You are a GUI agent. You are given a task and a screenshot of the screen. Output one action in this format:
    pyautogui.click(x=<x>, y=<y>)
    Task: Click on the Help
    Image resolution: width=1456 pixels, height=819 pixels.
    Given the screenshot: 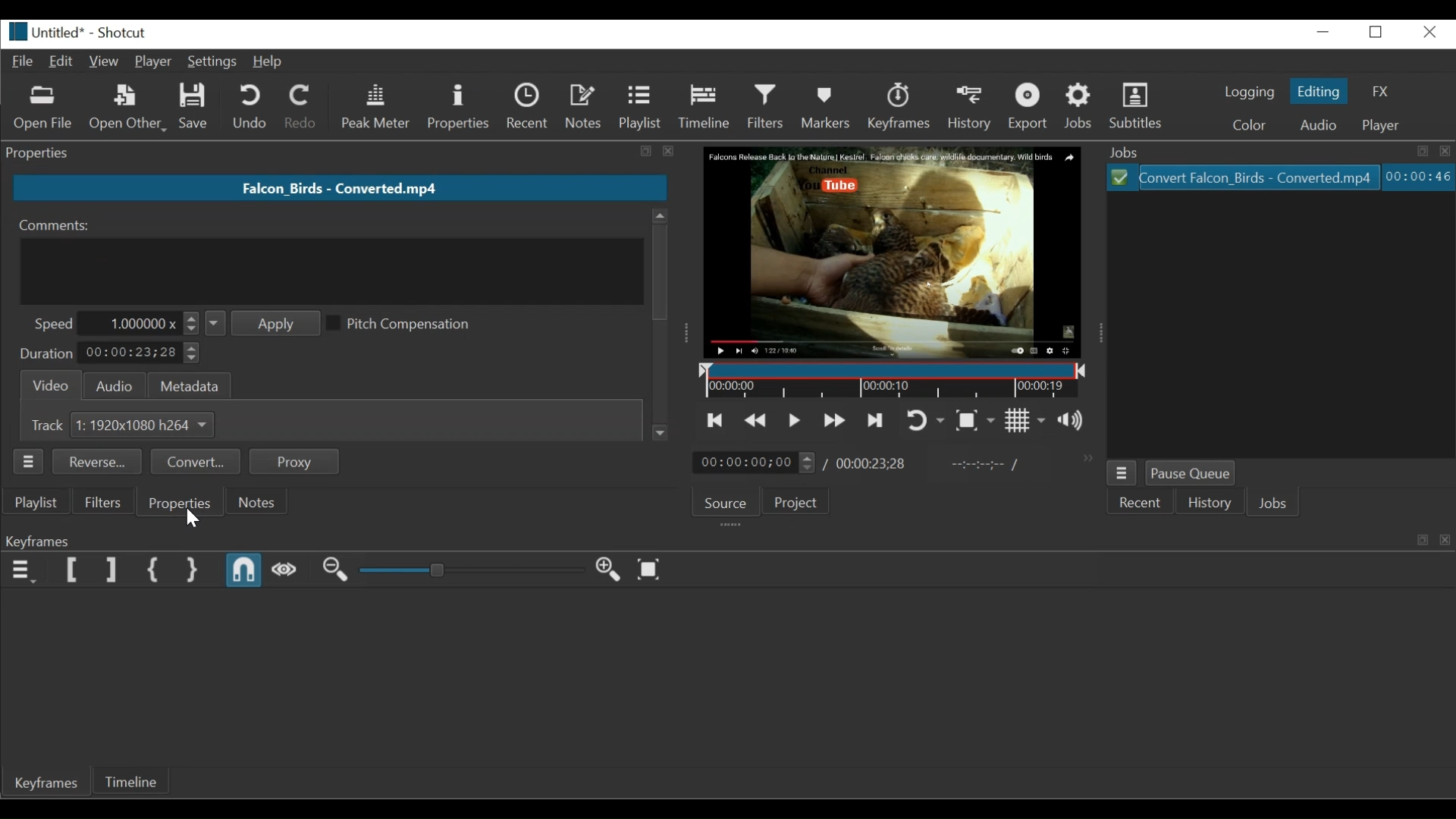 What is the action you would take?
    pyautogui.click(x=268, y=63)
    